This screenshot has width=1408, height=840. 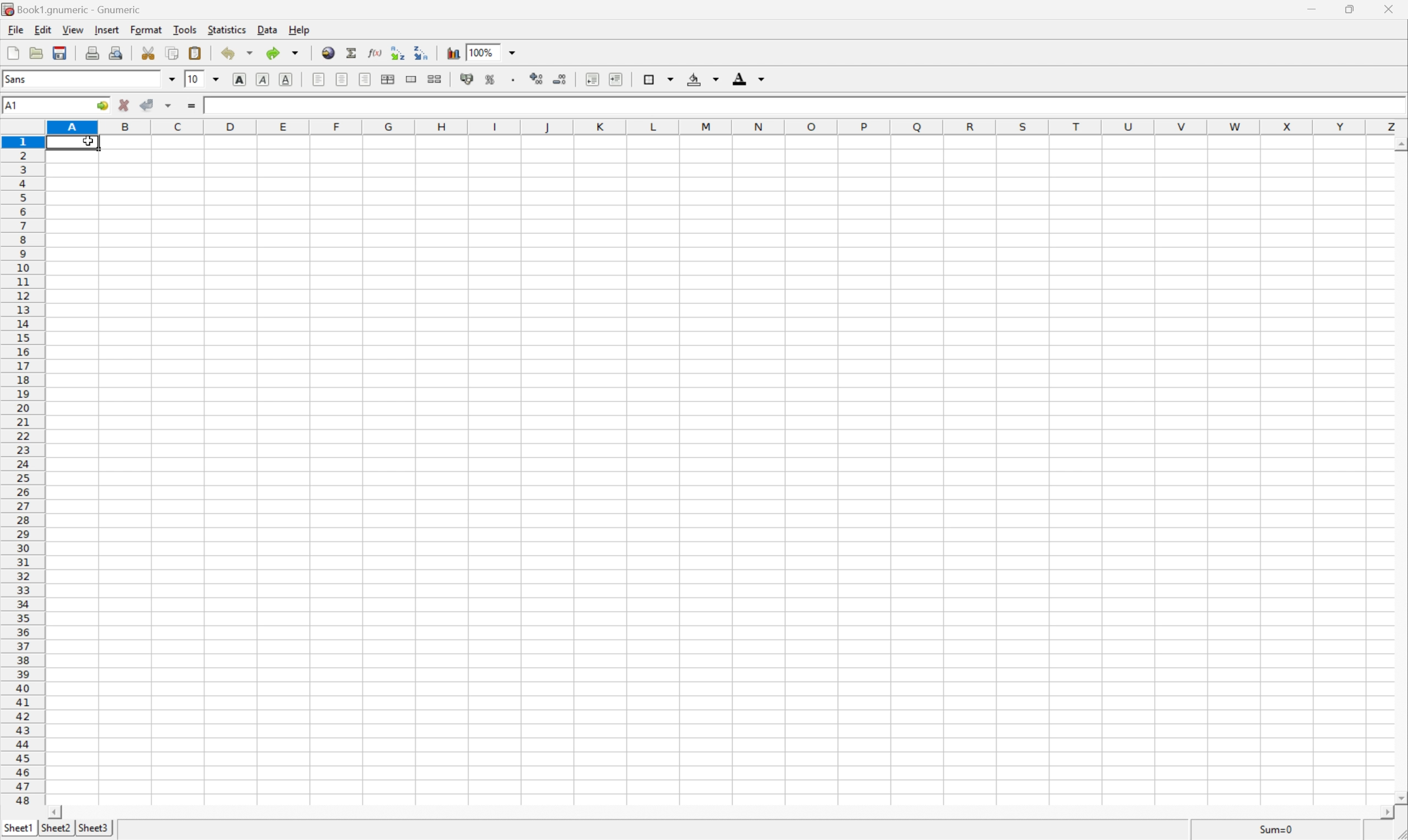 What do you see at coordinates (263, 80) in the screenshot?
I see `italic` at bounding box center [263, 80].